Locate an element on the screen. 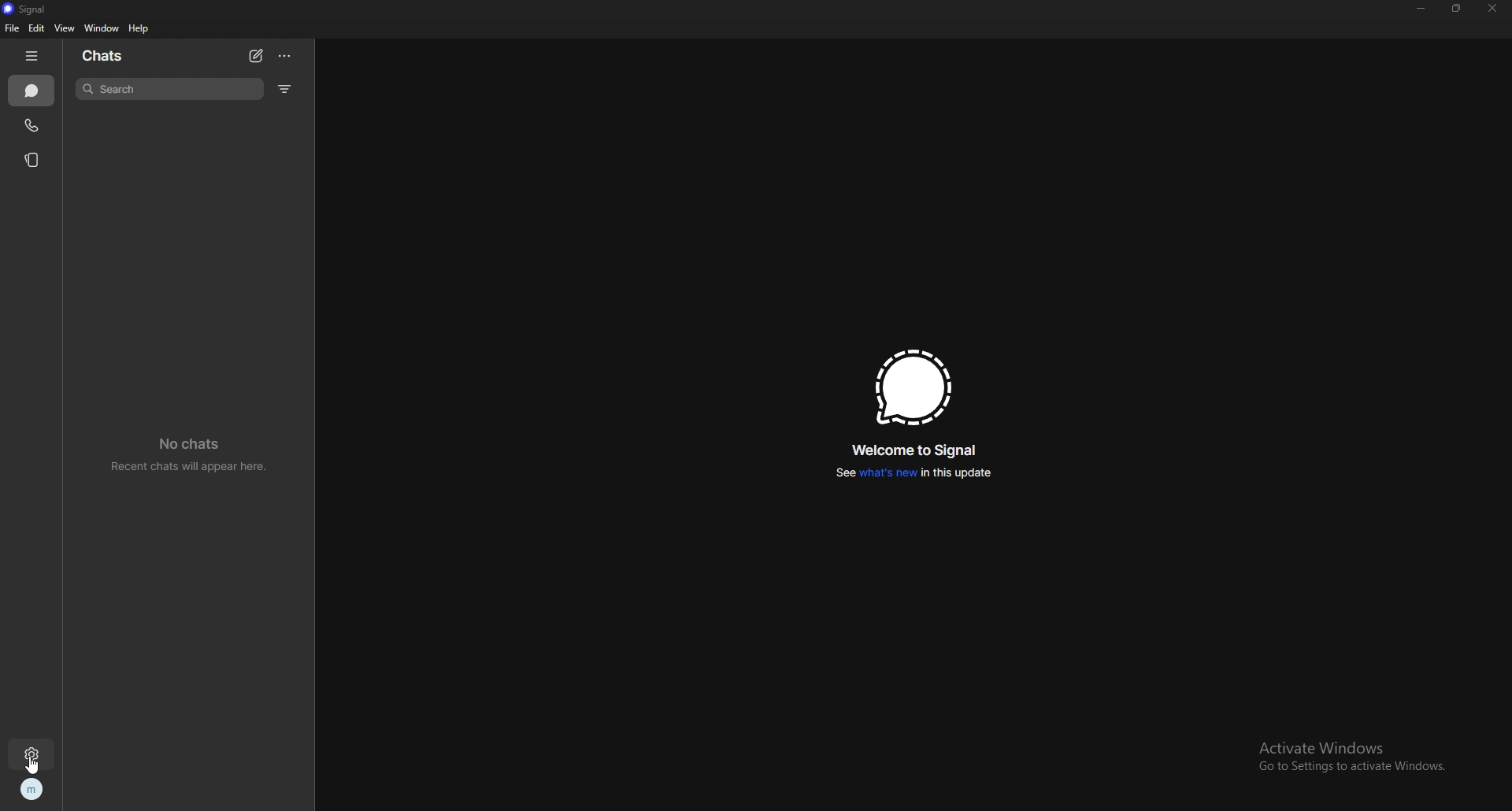 The image size is (1512, 811). settings is located at coordinates (33, 755).